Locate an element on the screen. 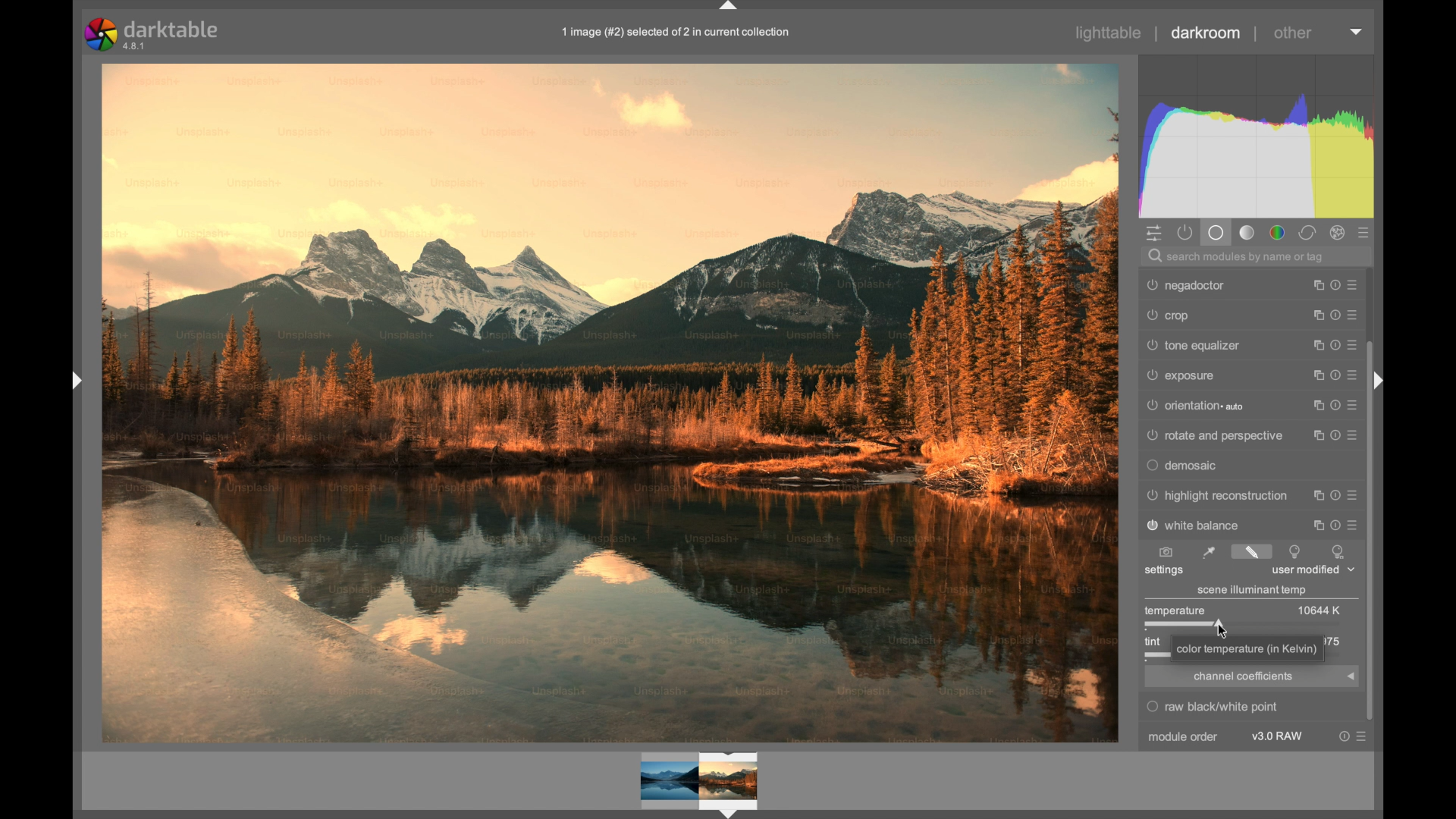 Image resolution: width=1456 pixels, height=819 pixels. exposure is located at coordinates (1179, 375).